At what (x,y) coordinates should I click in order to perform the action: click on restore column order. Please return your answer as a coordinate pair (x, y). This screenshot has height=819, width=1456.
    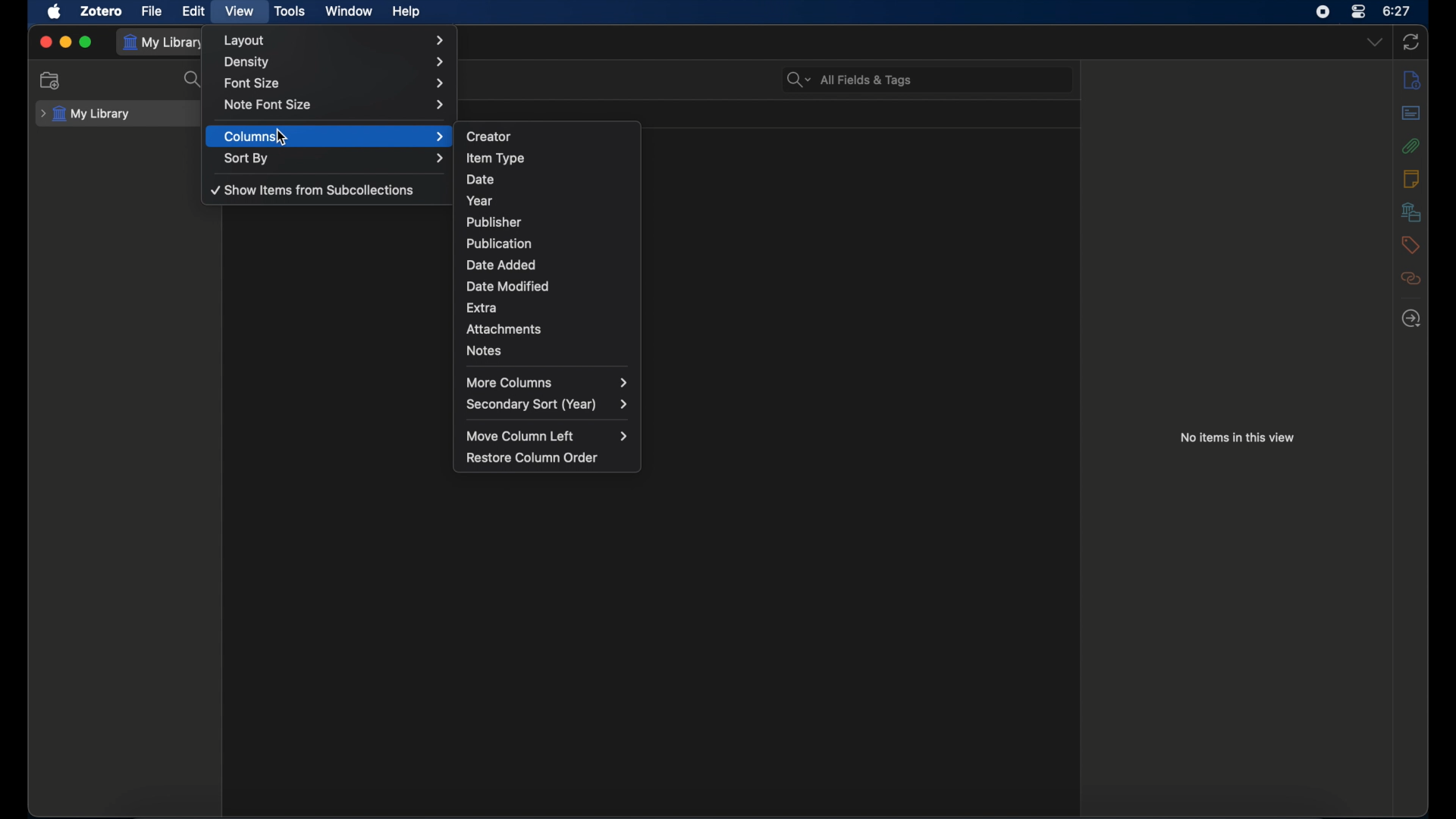
    Looking at the image, I should click on (533, 457).